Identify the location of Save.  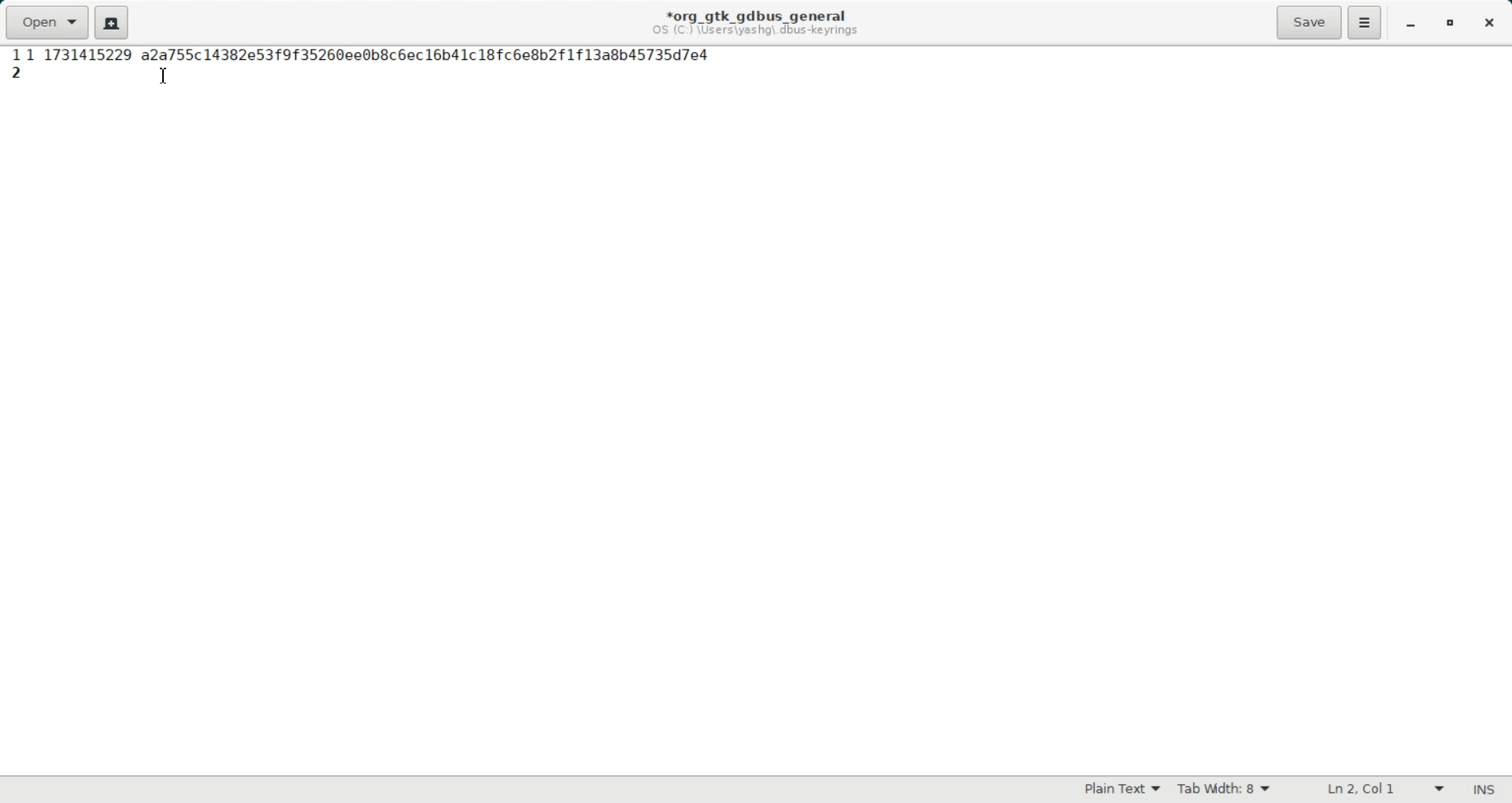
(1308, 22).